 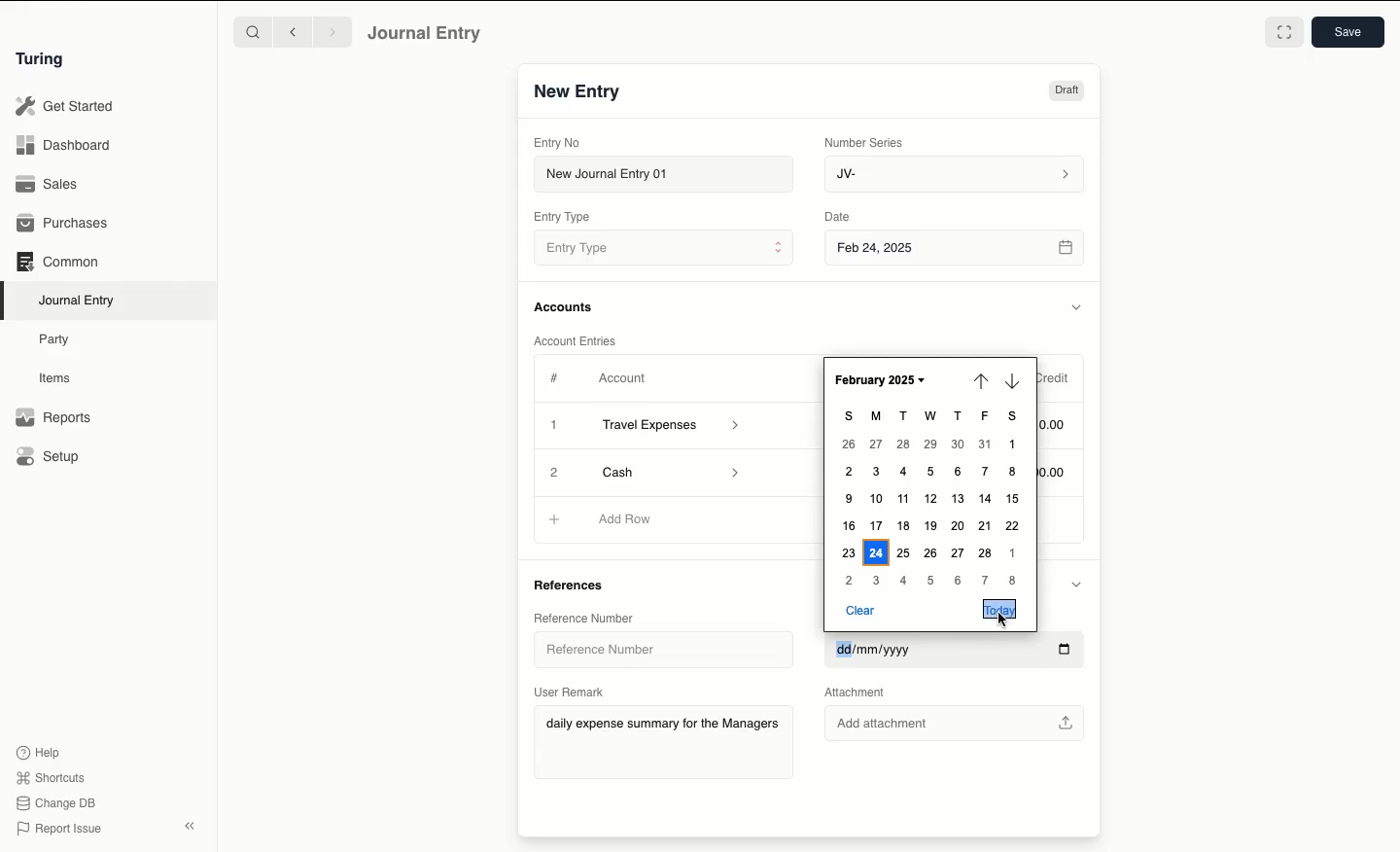 What do you see at coordinates (61, 830) in the screenshot?
I see `Report Issue` at bounding box center [61, 830].